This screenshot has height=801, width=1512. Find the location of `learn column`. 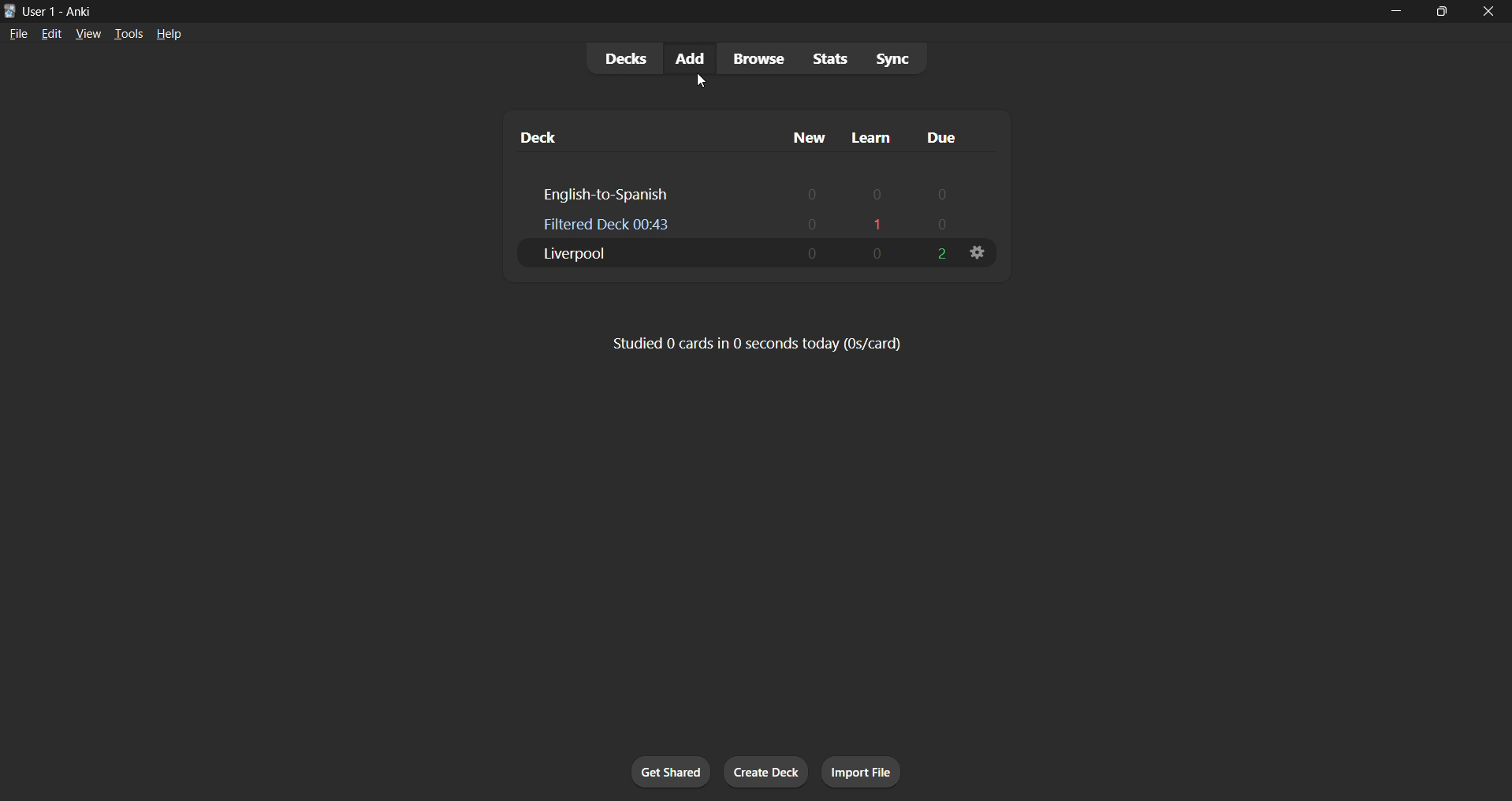

learn column is located at coordinates (870, 133).